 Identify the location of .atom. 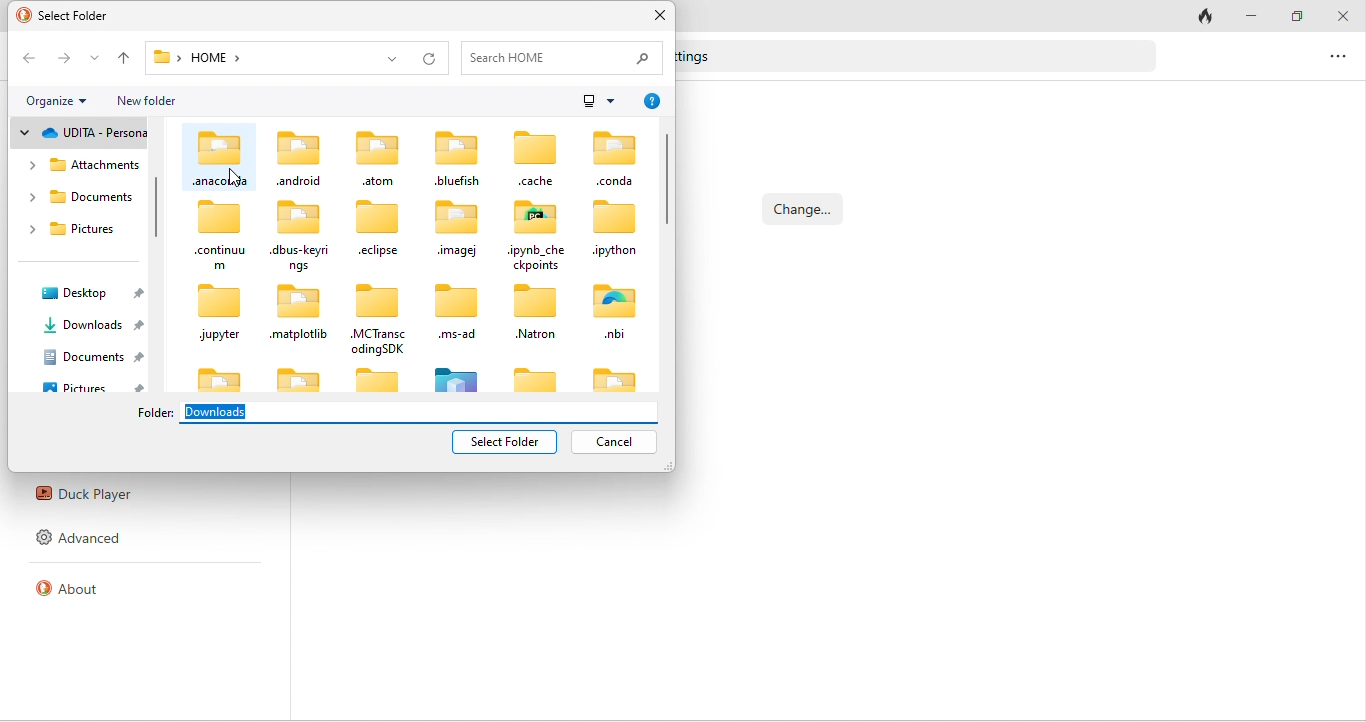
(375, 157).